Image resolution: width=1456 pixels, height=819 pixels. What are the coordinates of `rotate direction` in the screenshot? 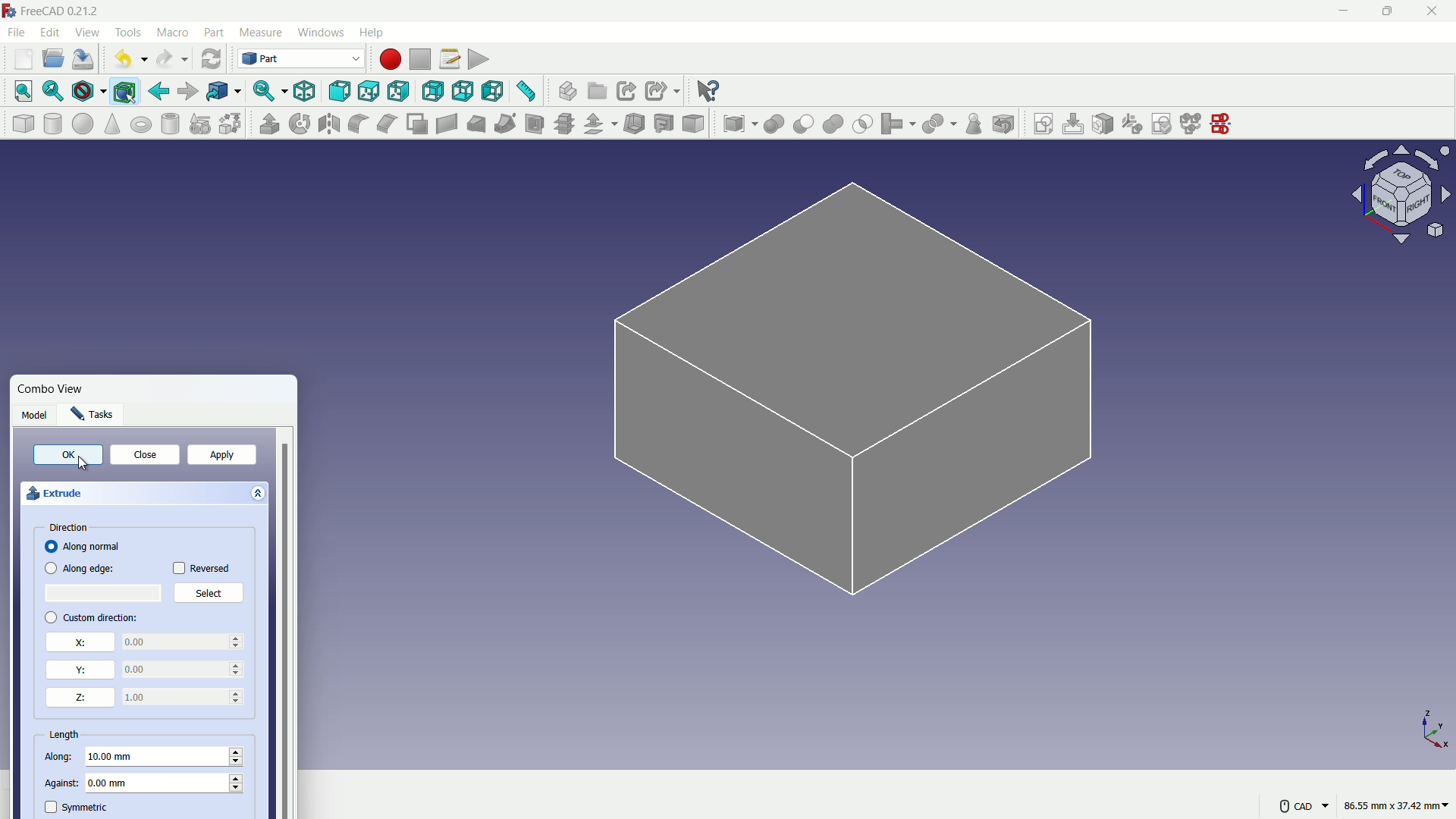 It's located at (1405, 193).